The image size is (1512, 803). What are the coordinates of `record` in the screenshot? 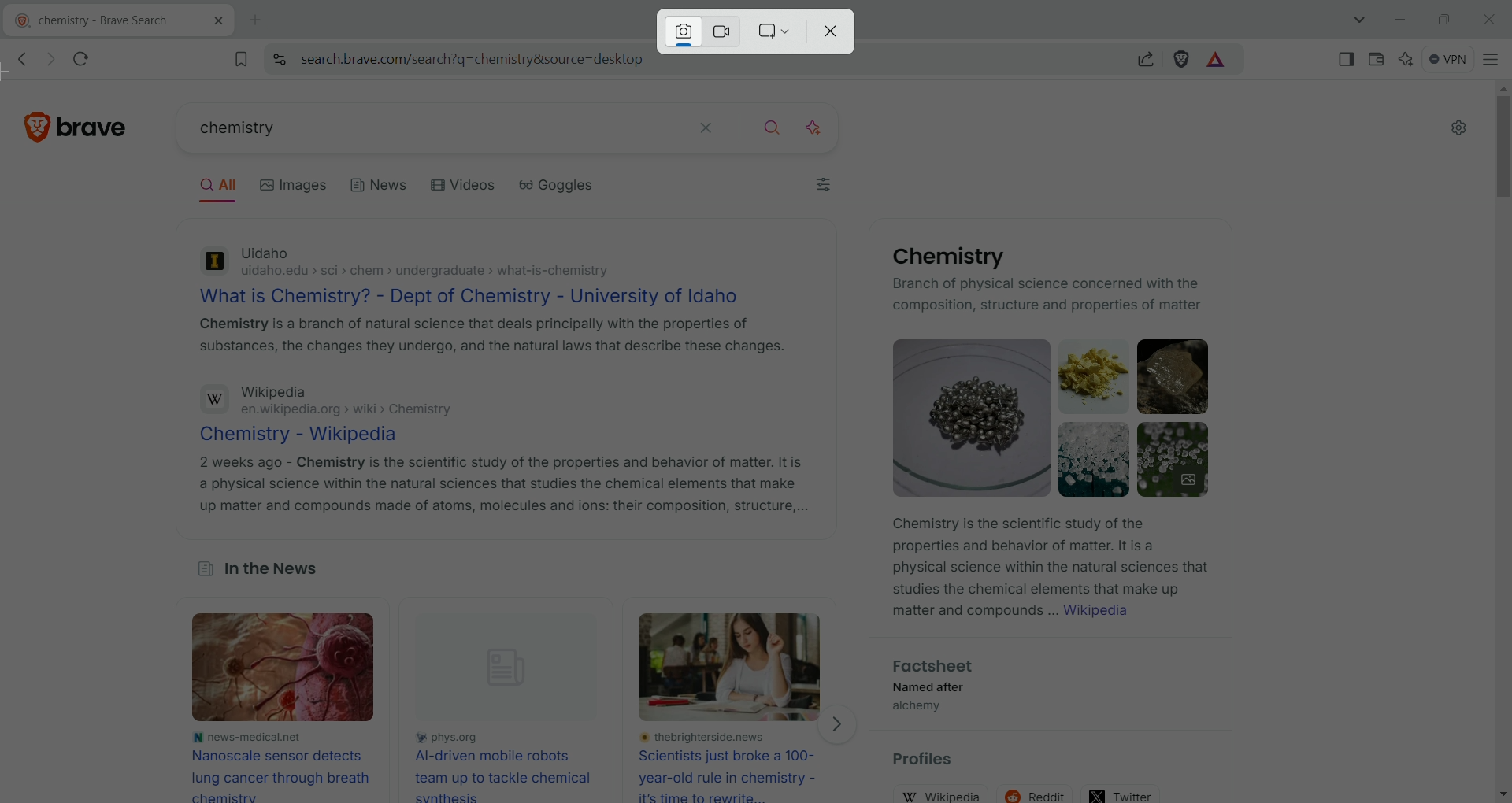 It's located at (726, 30).